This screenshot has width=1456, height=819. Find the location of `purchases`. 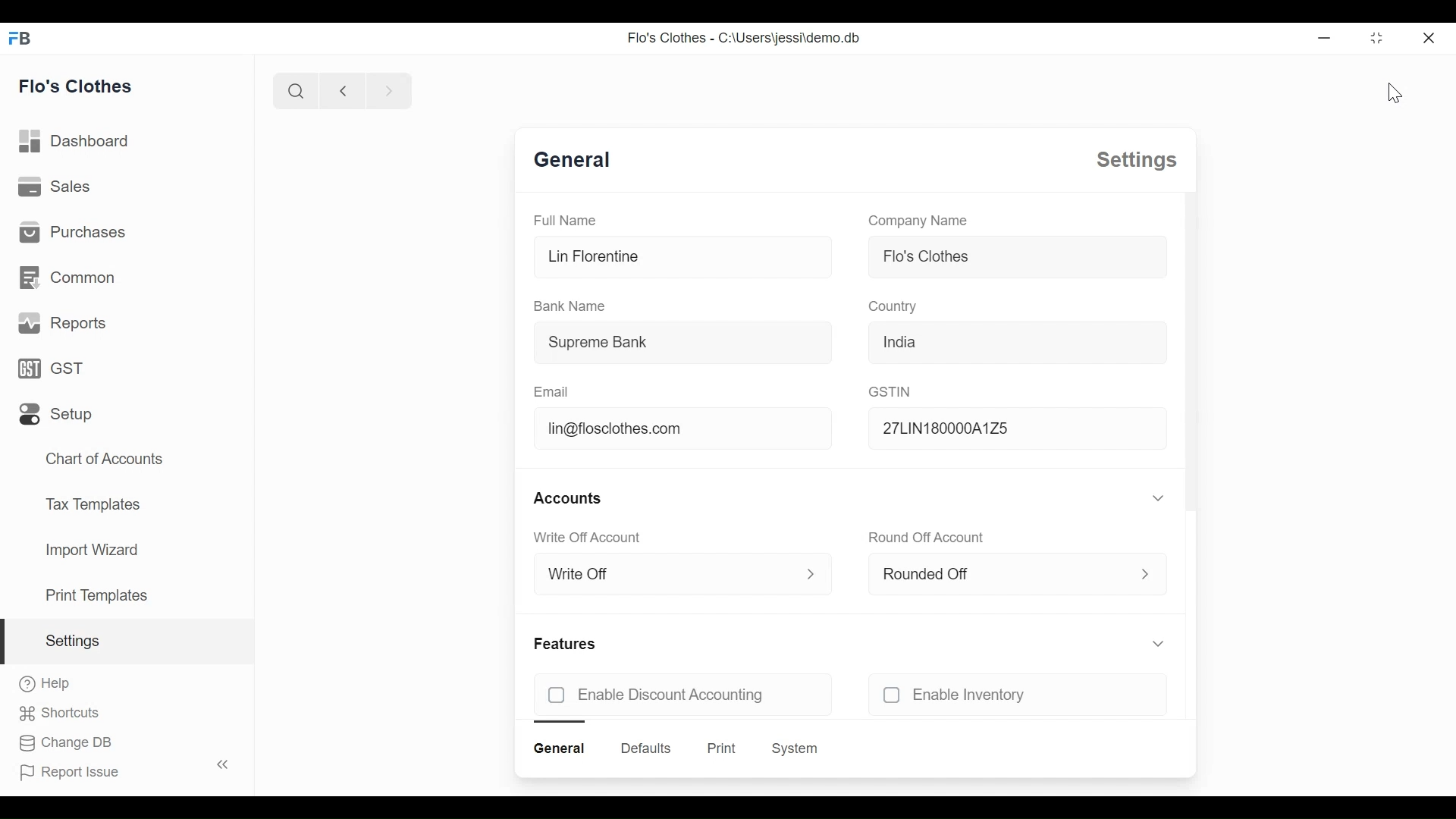

purchases is located at coordinates (71, 231).